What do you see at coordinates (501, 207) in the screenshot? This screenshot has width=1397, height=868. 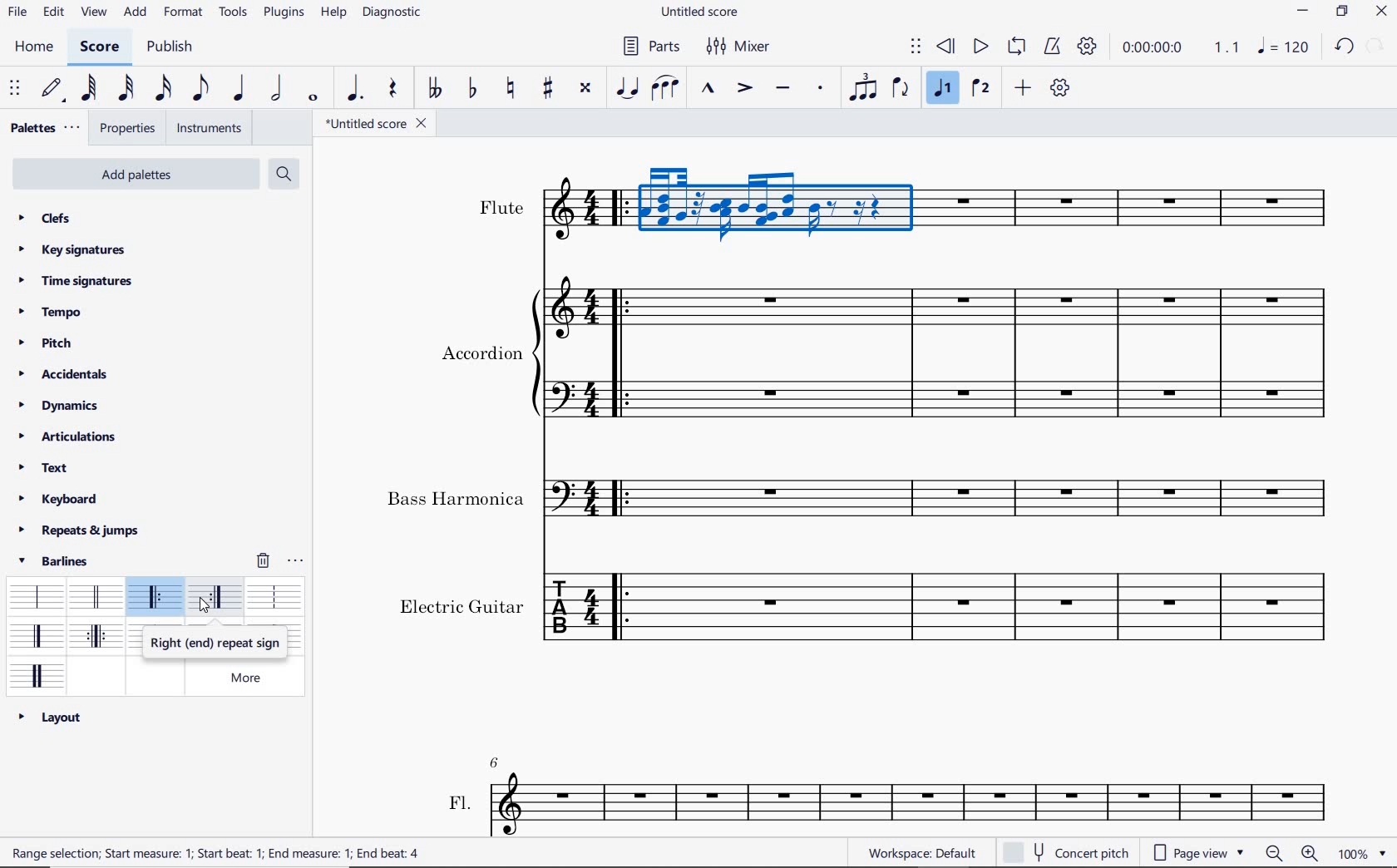 I see `text` at bounding box center [501, 207].